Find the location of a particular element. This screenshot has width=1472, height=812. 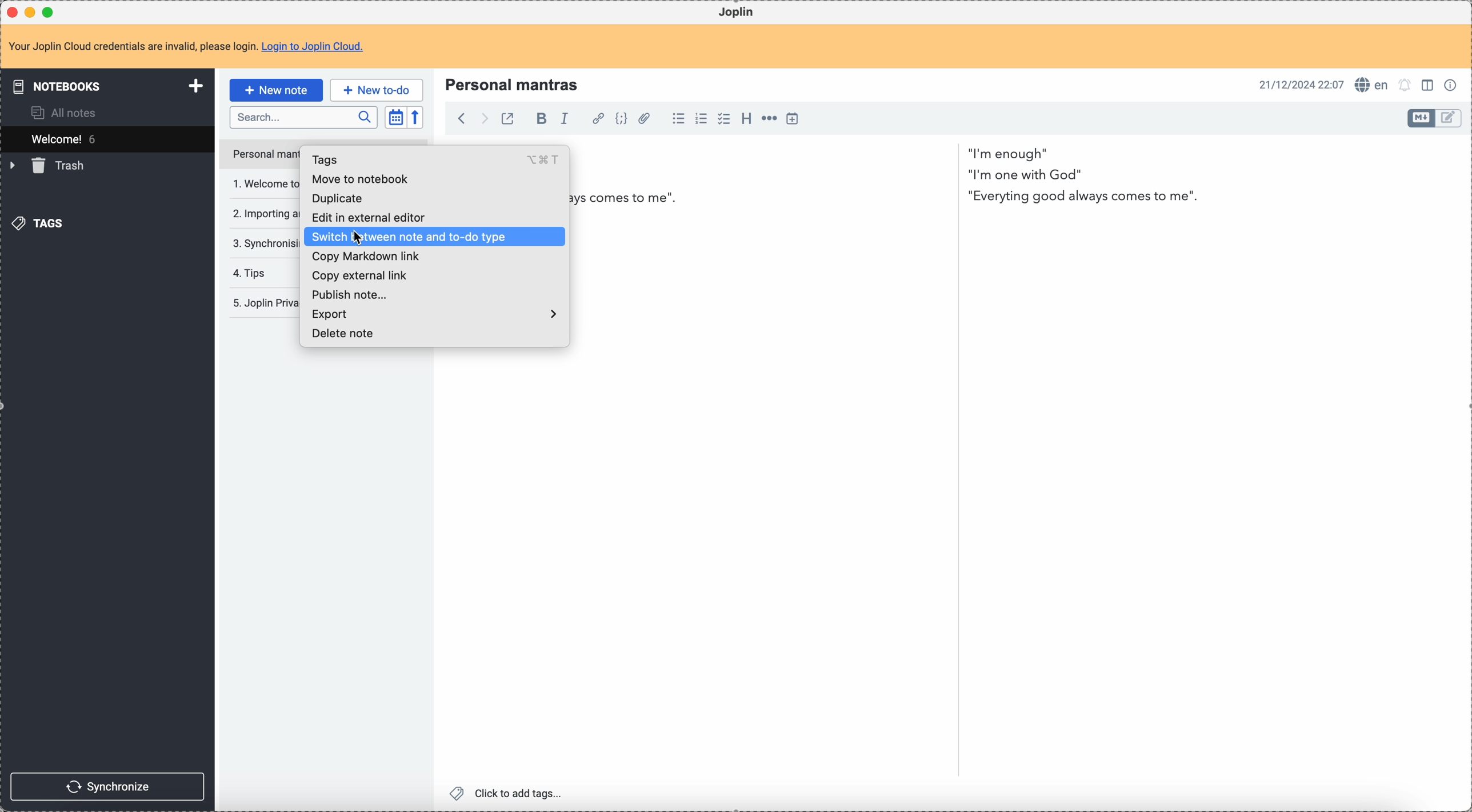

Joplin is located at coordinates (735, 12).